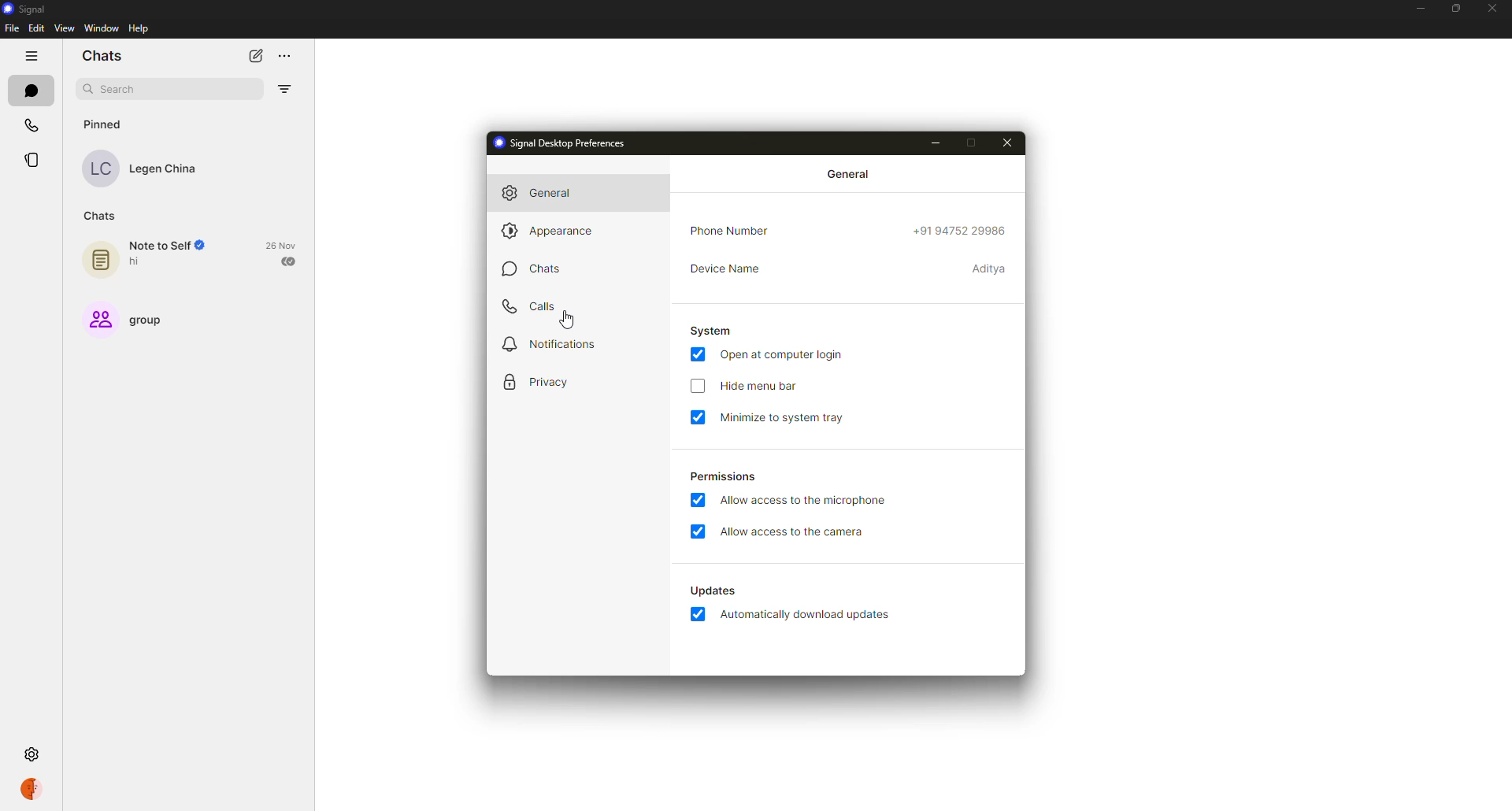 This screenshot has width=1512, height=811. What do you see at coordinates (99, 257) in the screenshot?
I see `Note icon` at bounding box center [99, 257].